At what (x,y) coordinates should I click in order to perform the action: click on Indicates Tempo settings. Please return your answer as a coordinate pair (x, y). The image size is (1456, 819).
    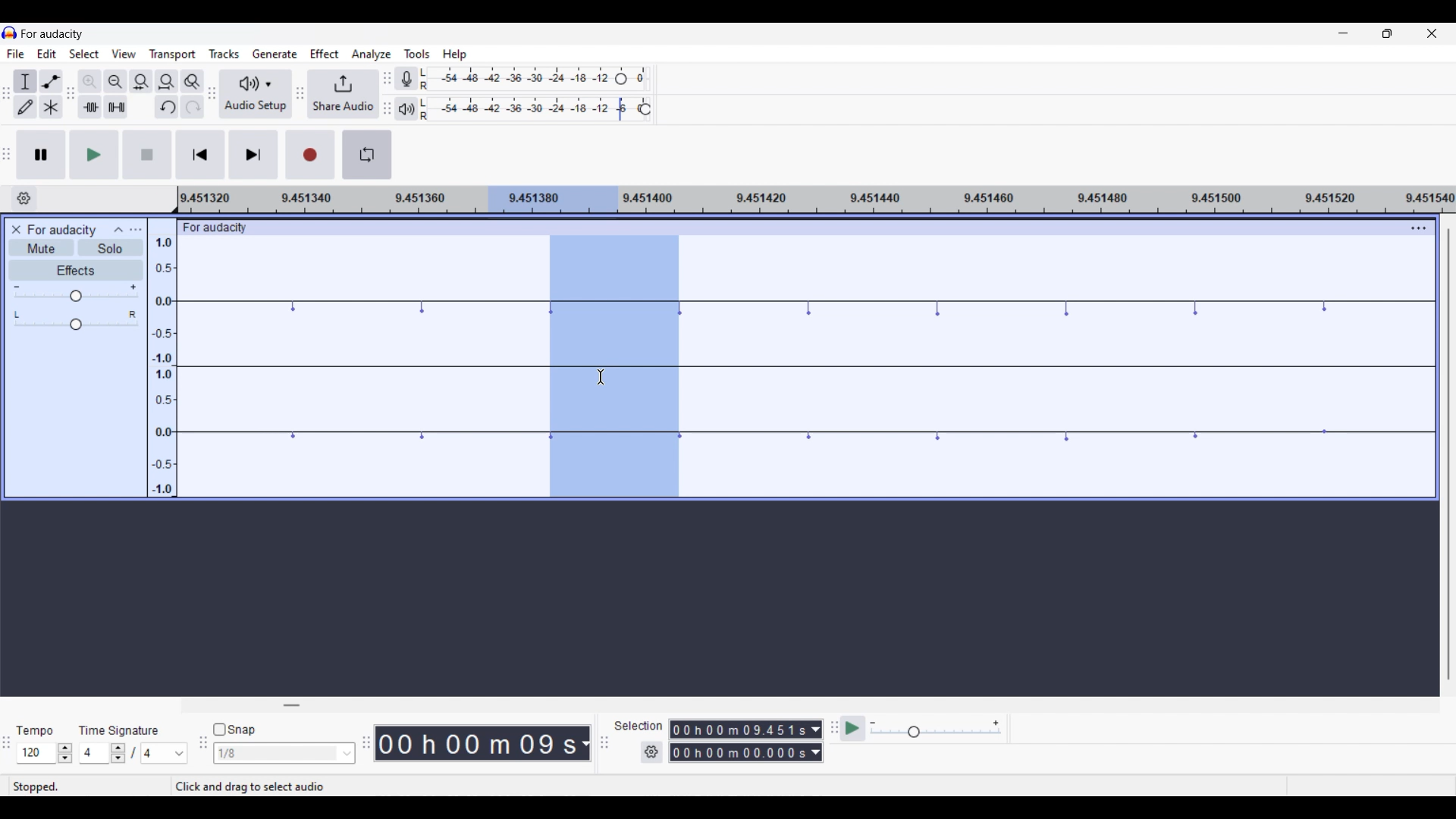
    Looking at the image, I should click on (34, 730).